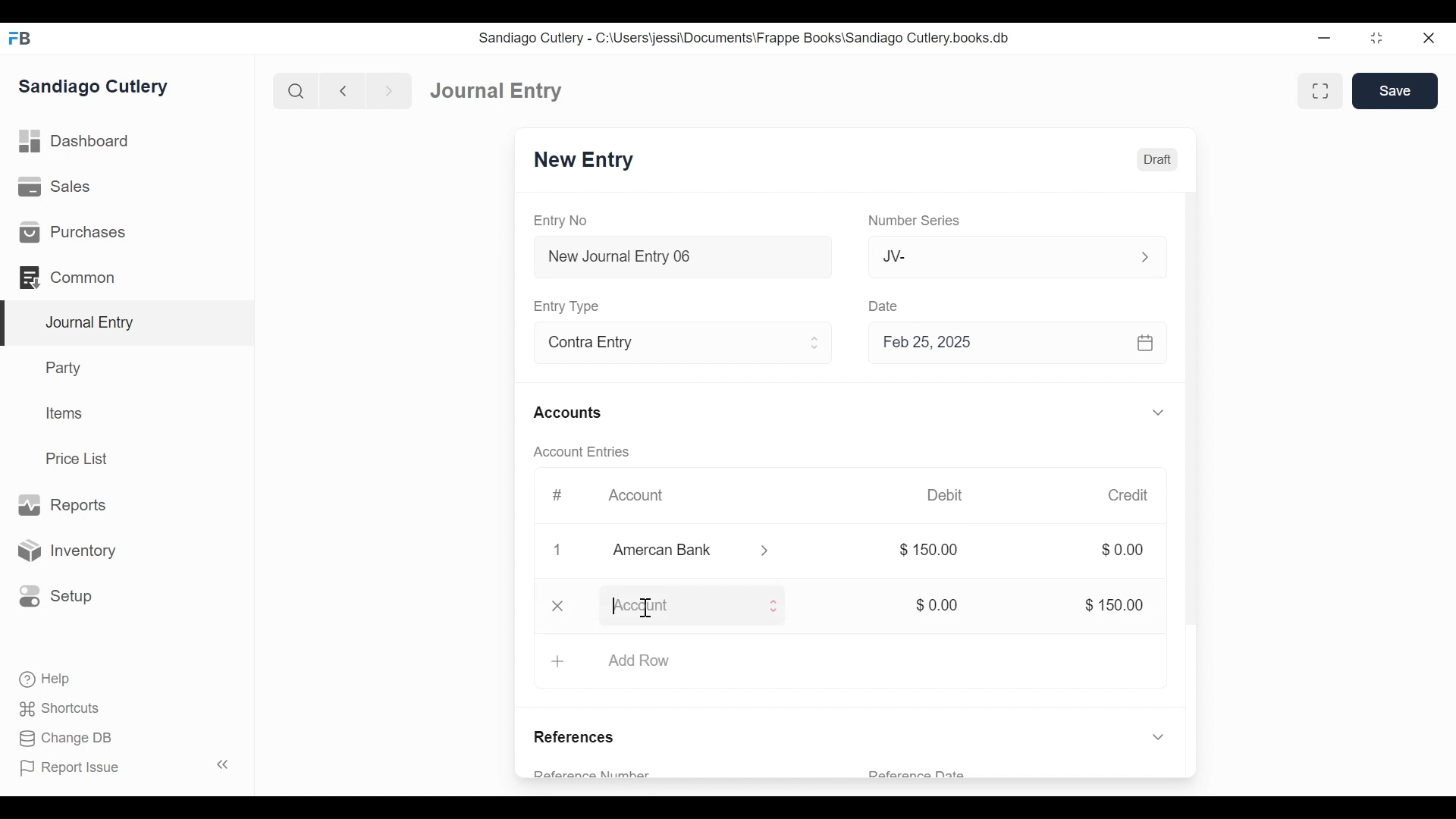 Image resolution: width=1456 pixels, height=819 pixels. What do you see at coordinates (1011, 342) in the screenshot?
I see `Feb 25, 2025` at bounding box center [1011, 342].